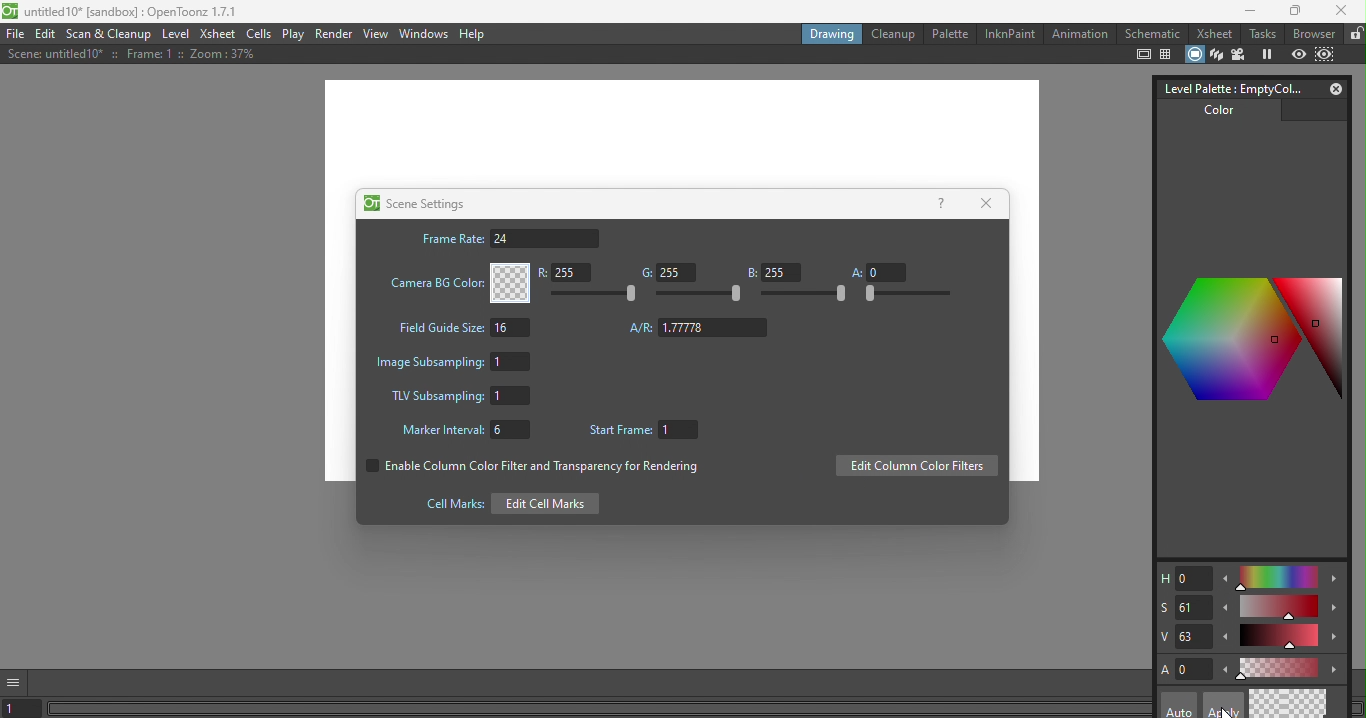 The height and width of the screenshot is (718, 1366). I want to click on Close, so click(1332, 88).